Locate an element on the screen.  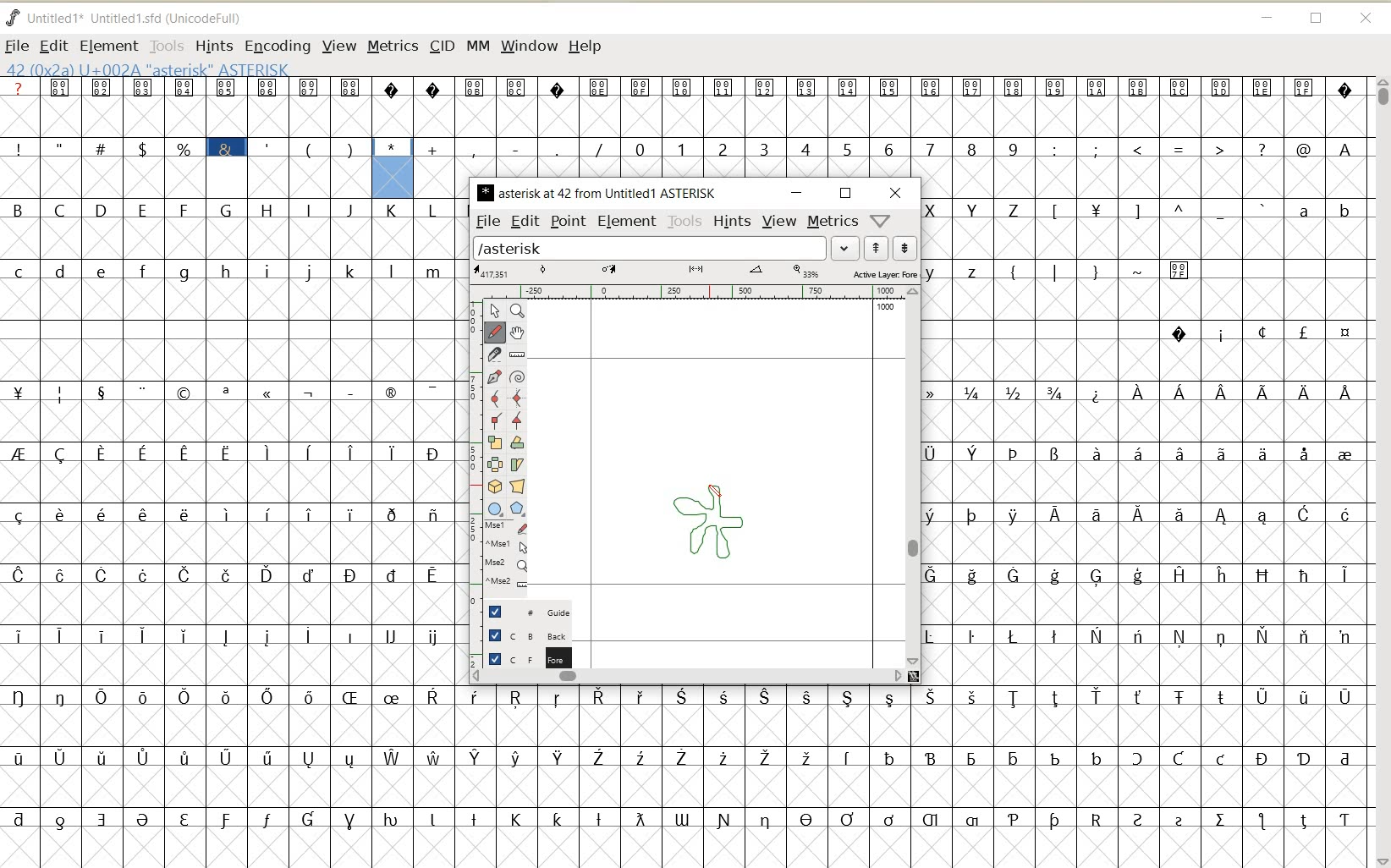
CLOSE is located at coordinates (896, 192).